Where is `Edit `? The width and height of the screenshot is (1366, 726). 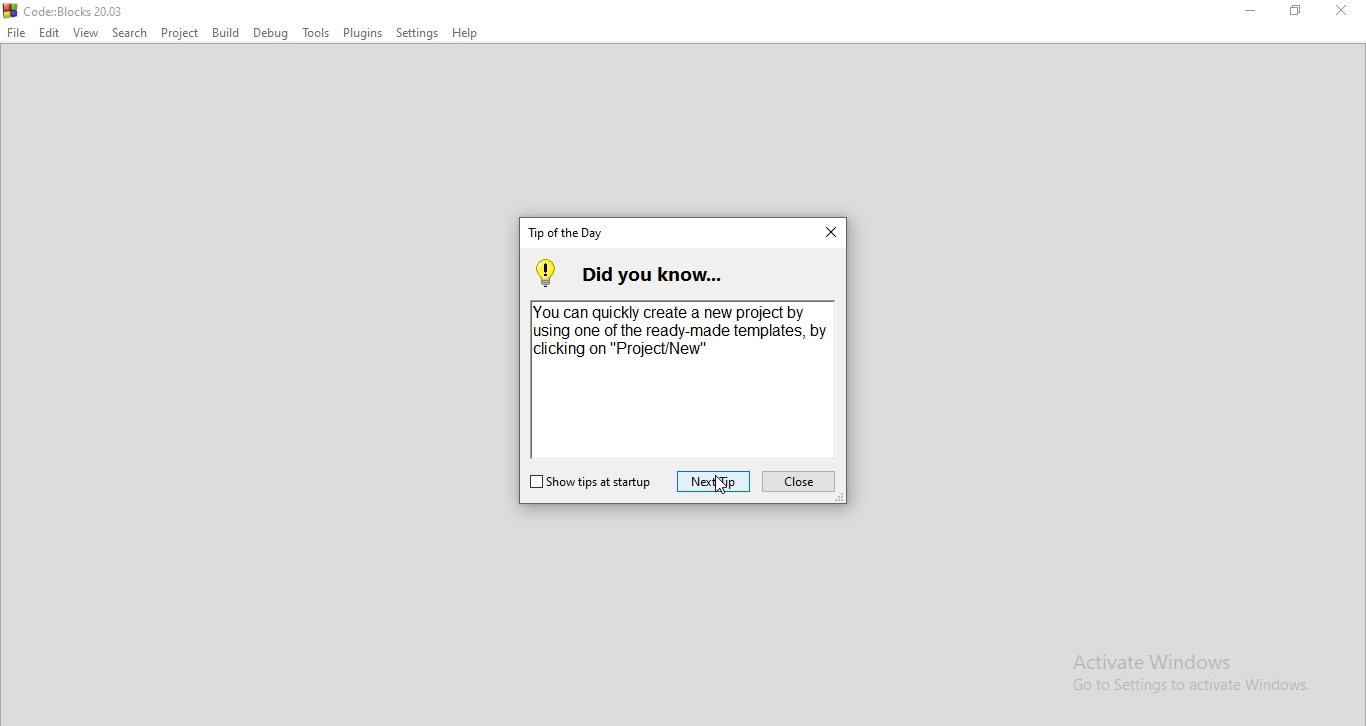 Edit  is located at coordinates (46, 33).